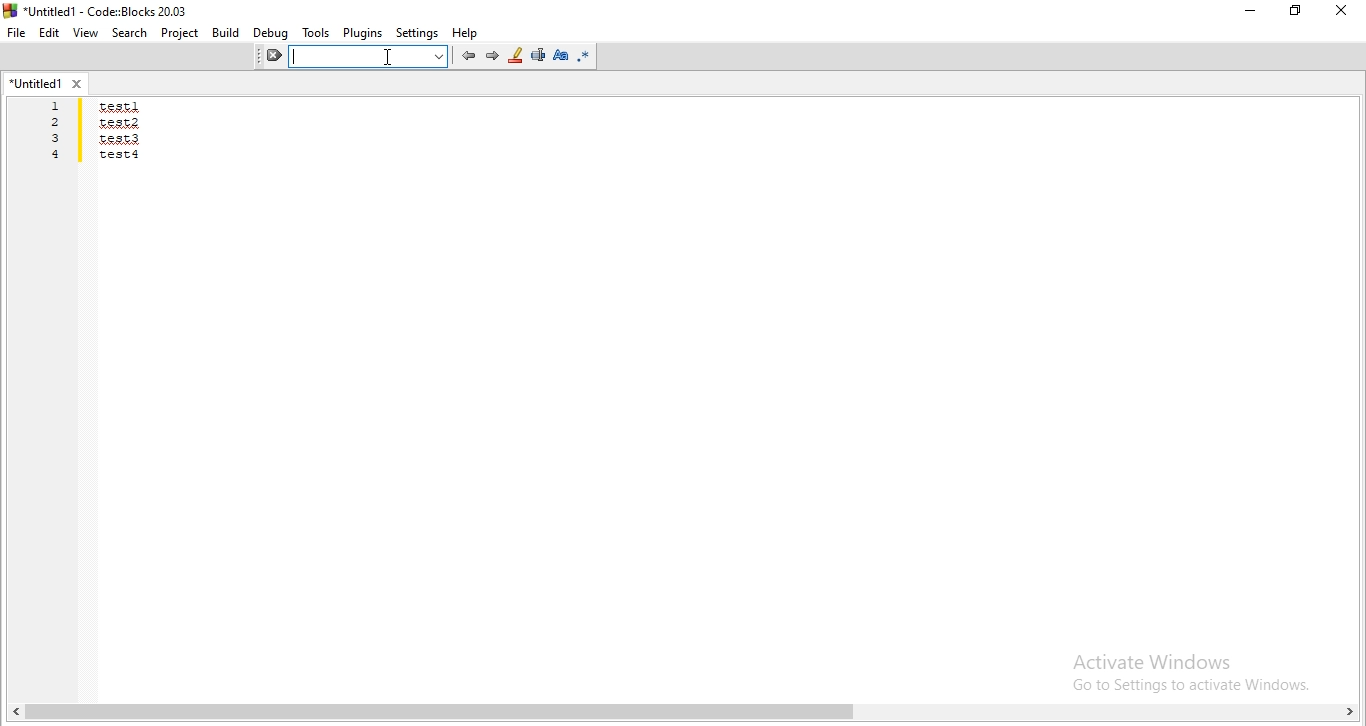  What do you see at coordinates (10, 10) in the screenshot?
I see `logo` at bounding box center [10, 10].